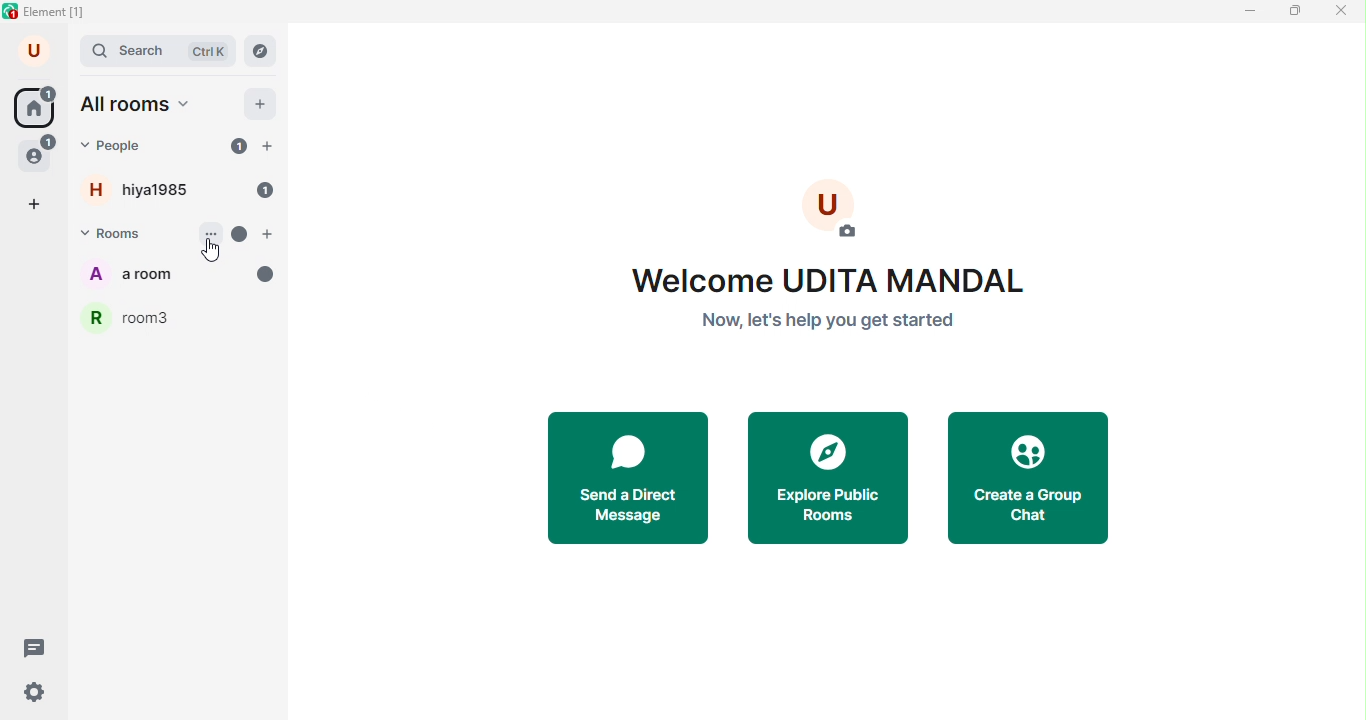 Image resolution: width=1366 pixels, height=720 pixels. I want to click on maximize, so click(1296, 14).